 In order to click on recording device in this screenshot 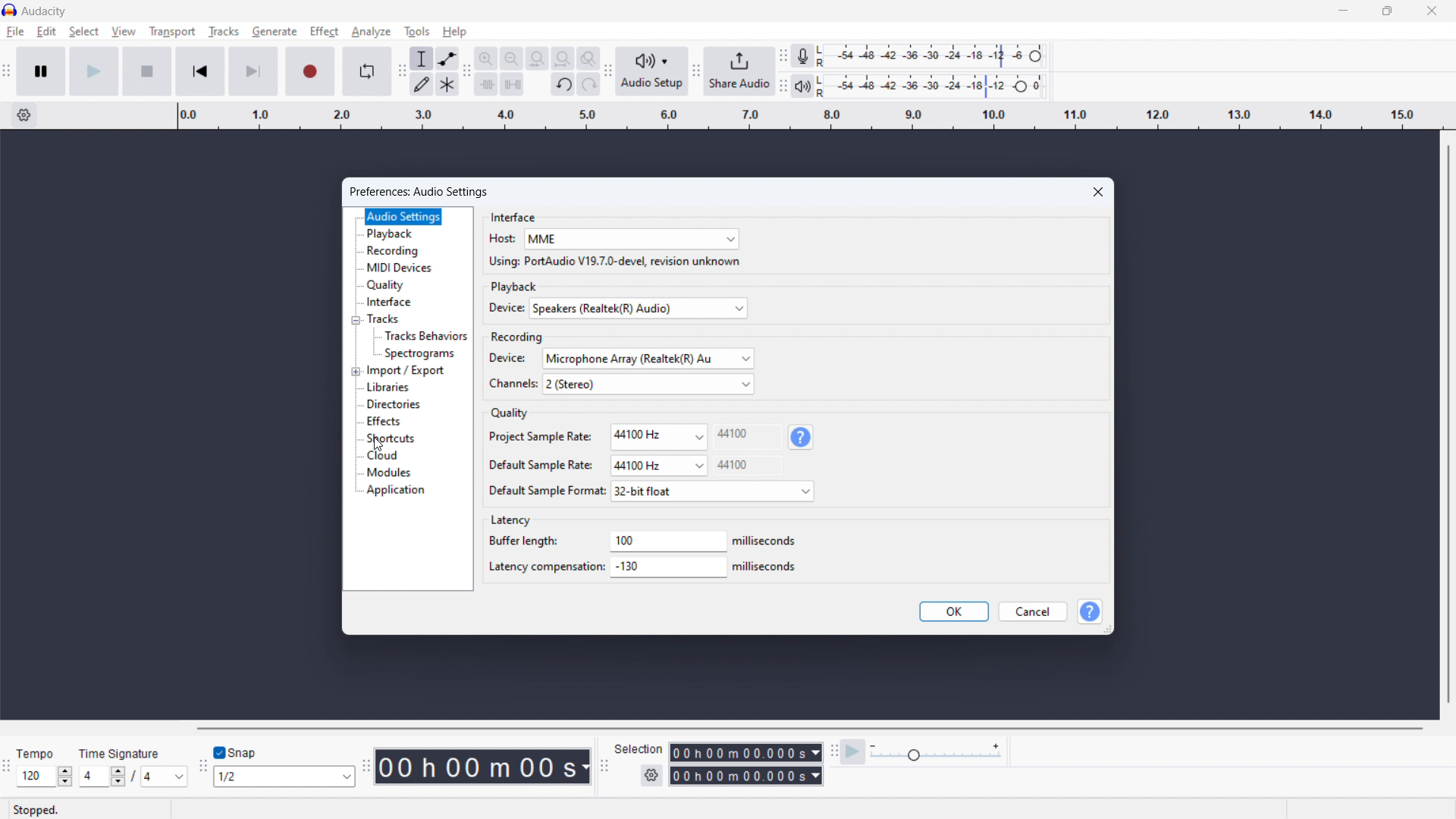, I will do `click(648, 358)`.